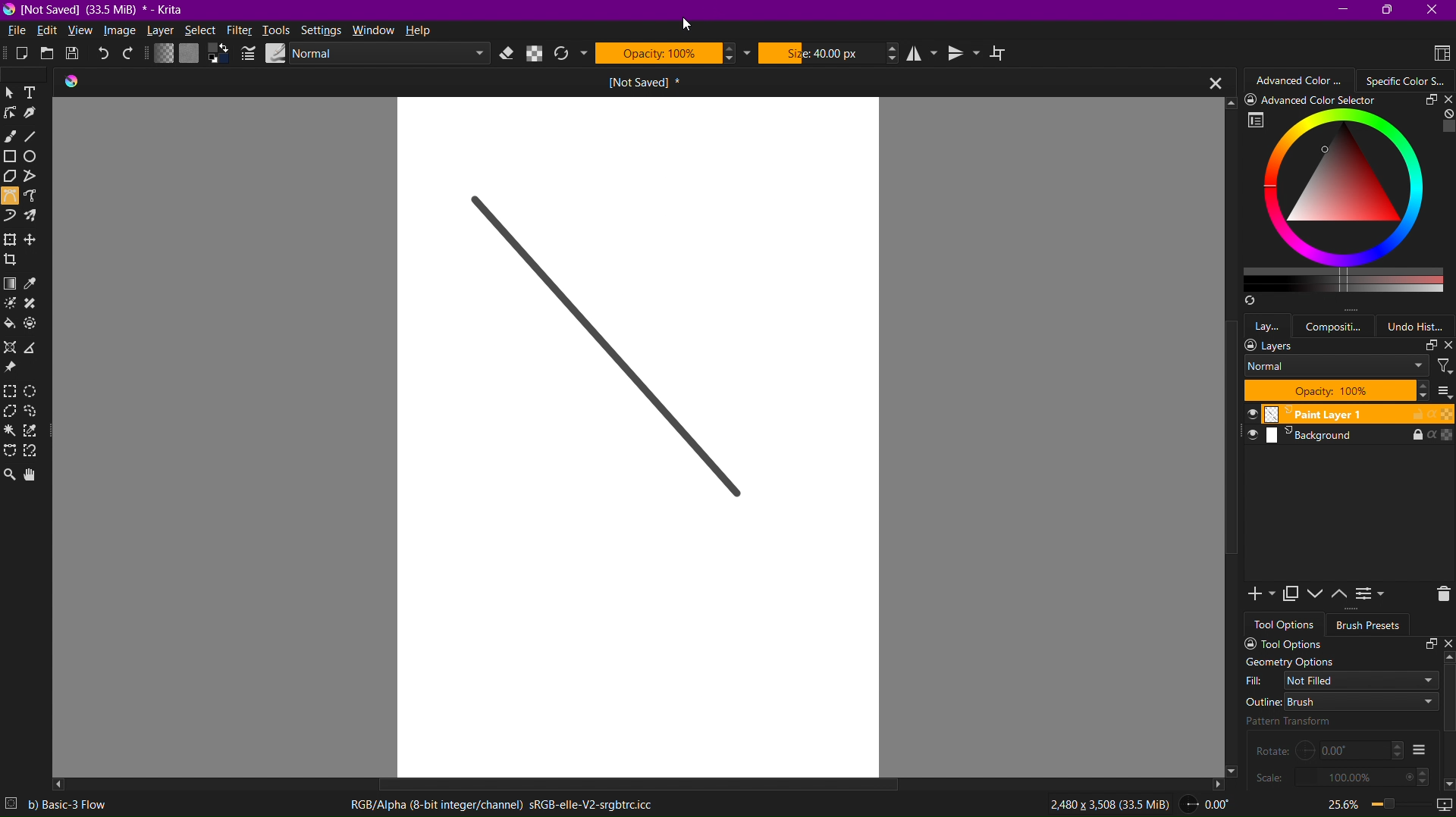 The image size is (1456, 817). Describe the element at coordinates (39, 283) in the screenshot. I see `Sample a color` at that location.